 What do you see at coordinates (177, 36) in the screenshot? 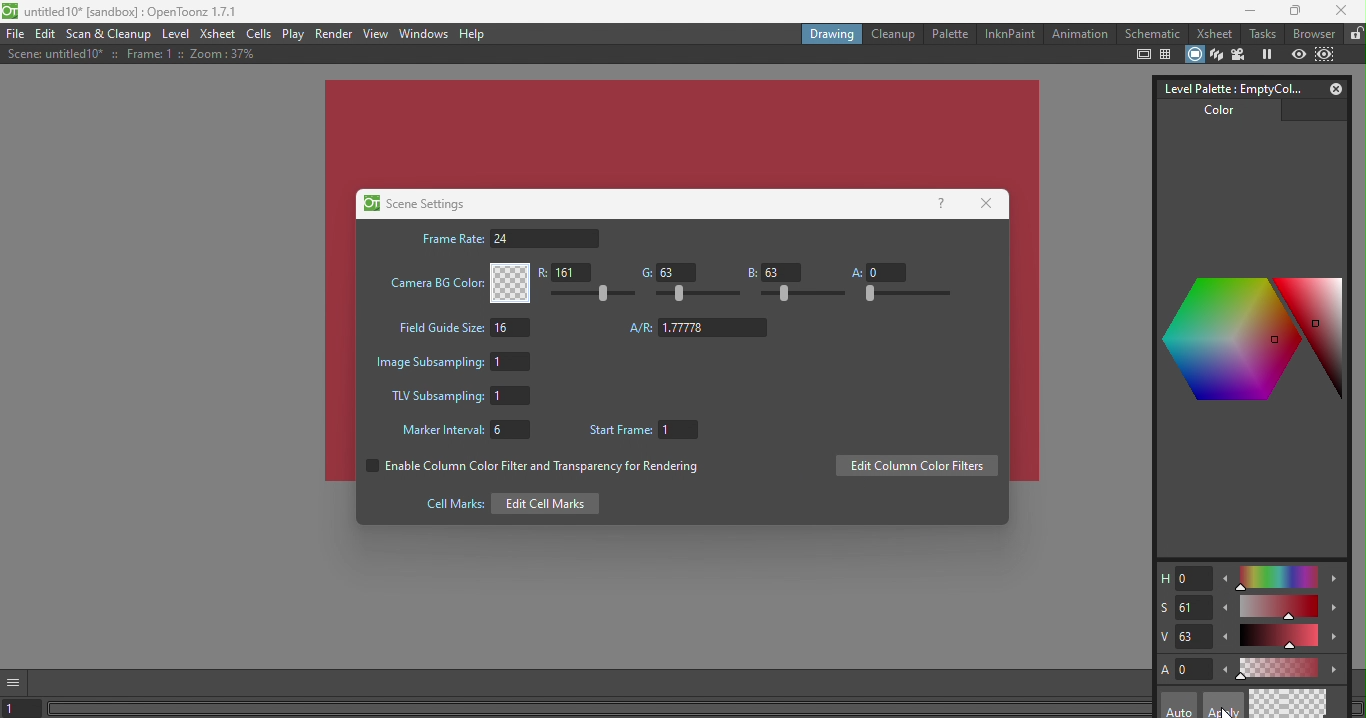
I see `Level` at bounding box center [177, 36].